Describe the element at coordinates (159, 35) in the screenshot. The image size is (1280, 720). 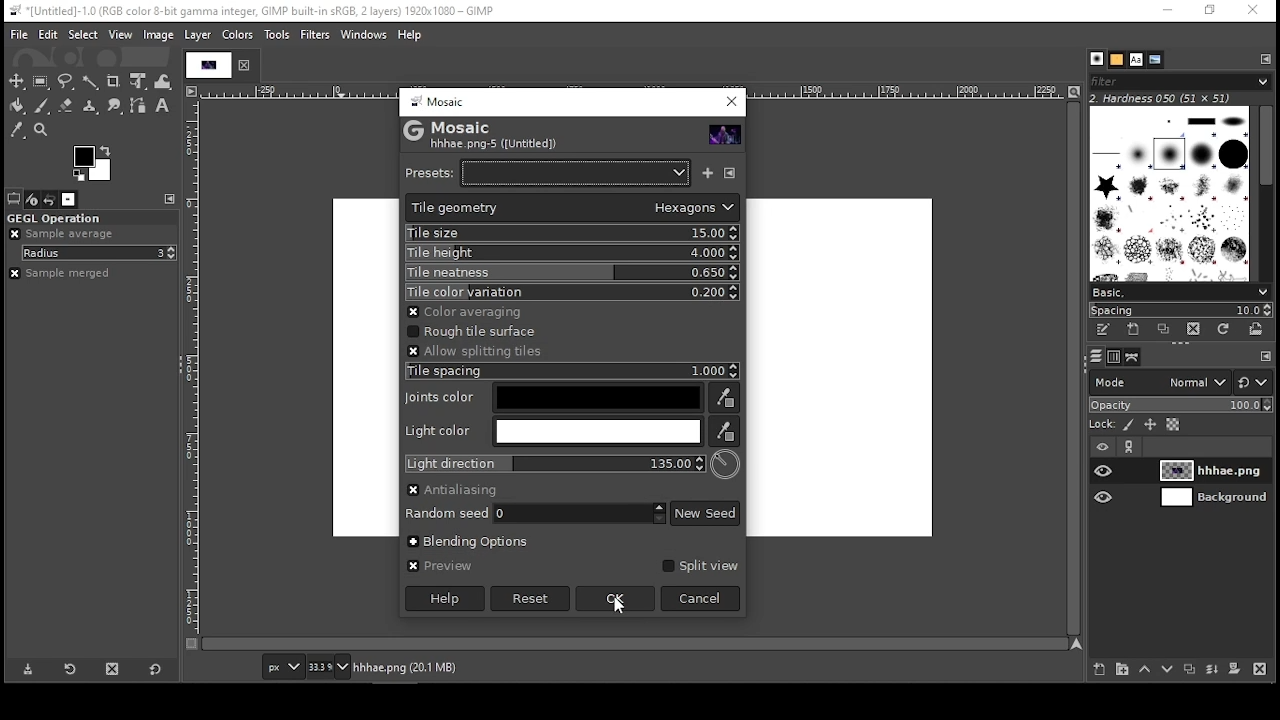
I see `image` at that location.